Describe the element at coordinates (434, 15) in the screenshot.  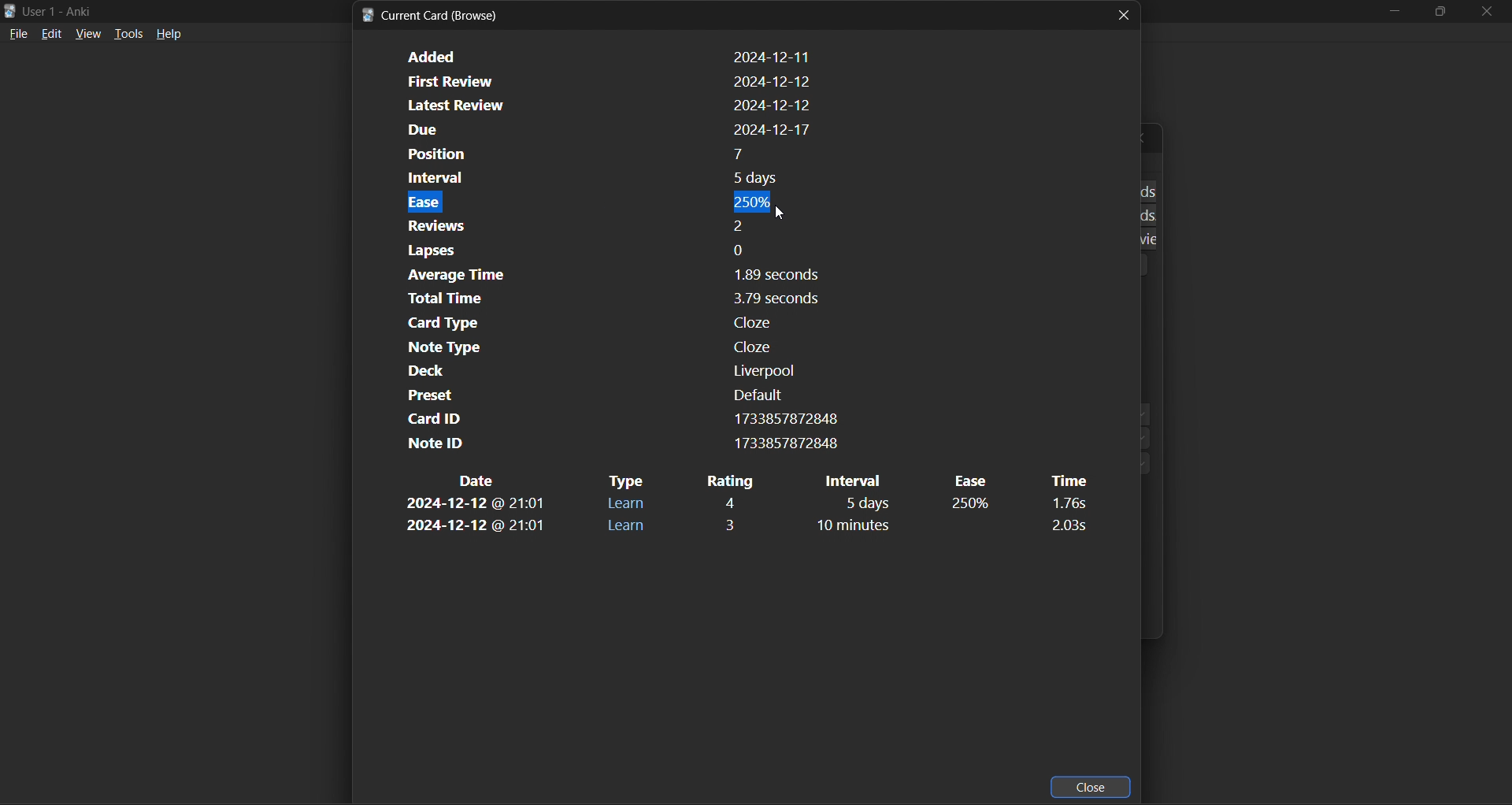
I see `card info title bar` at that location.